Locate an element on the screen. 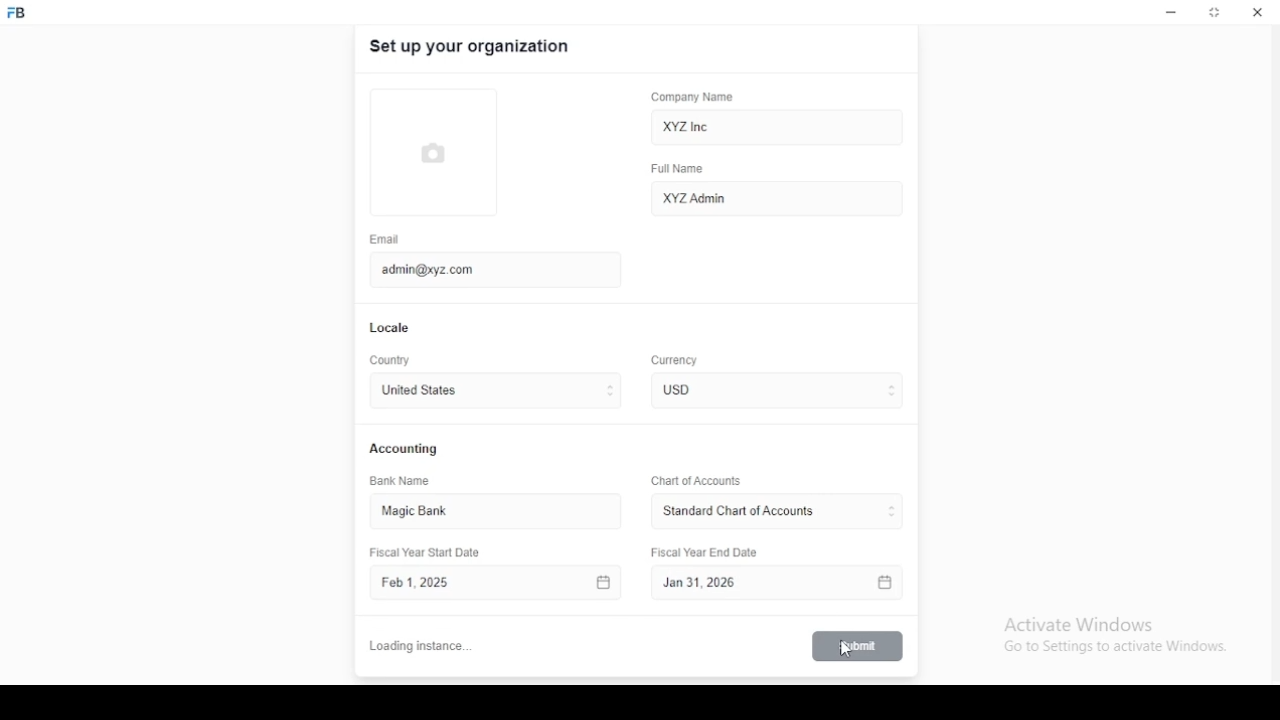  email is located at coordinates (385, 239).